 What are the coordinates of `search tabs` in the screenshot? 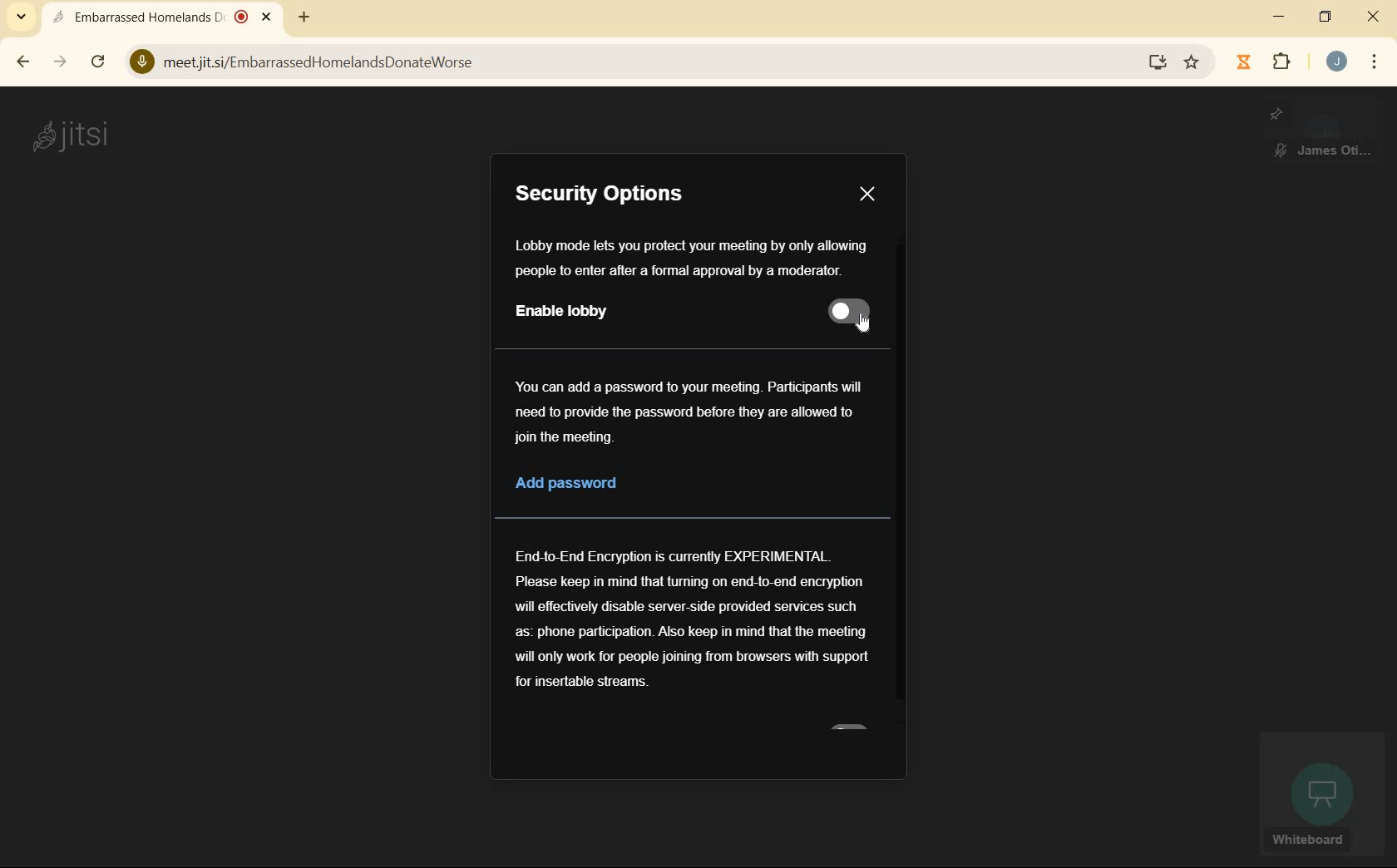 It's located at (21, 17).